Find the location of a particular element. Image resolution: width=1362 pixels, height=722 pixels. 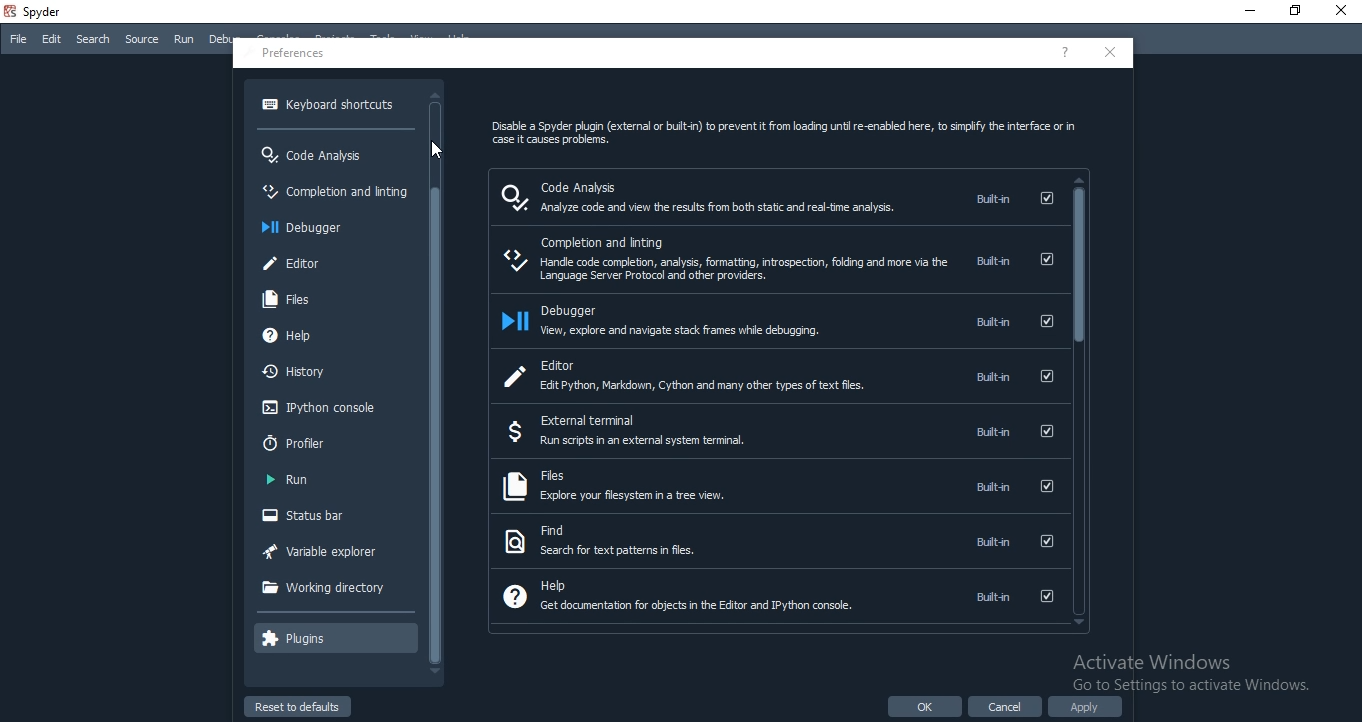

Get documentation for objects in the Editor and IPython console. is located at coordinates (694, 608).